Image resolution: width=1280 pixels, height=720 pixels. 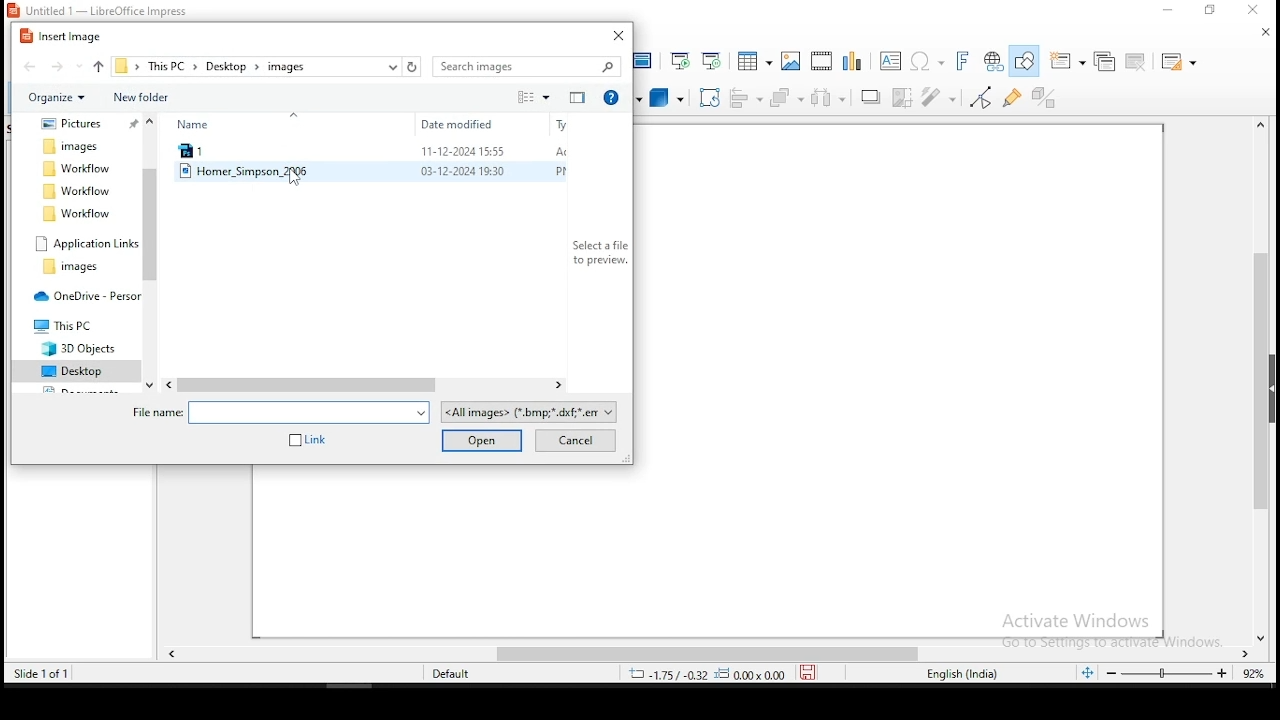 What do you see at coordinates (871, 98) in the screenshot?
I see `shadow` at bounding box center [871, 98].